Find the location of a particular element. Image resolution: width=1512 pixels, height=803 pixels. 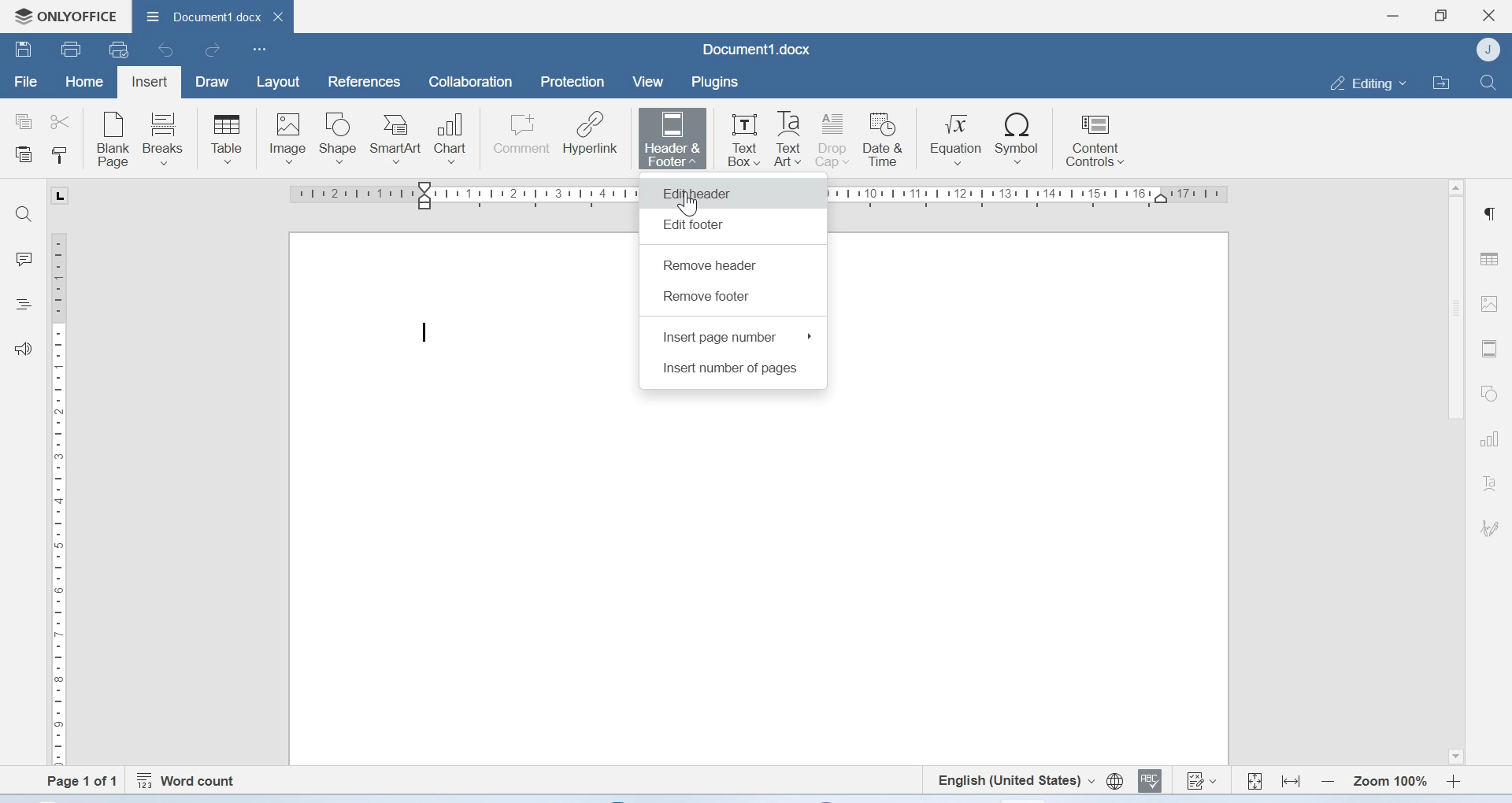

Document1.docx is located at coordinates (213, 18).